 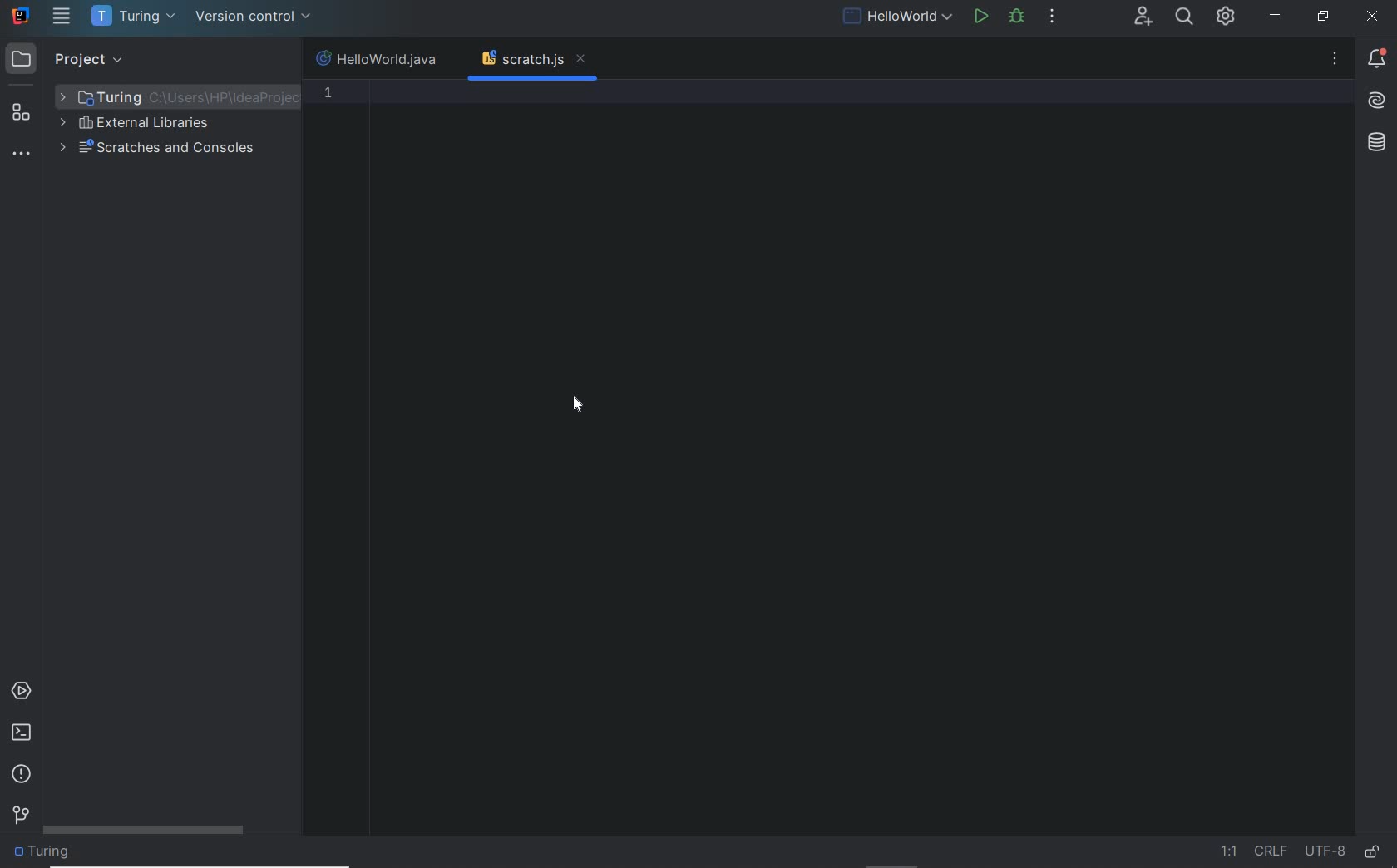 I want to click on scrollbar, so click(x=146, y=831).